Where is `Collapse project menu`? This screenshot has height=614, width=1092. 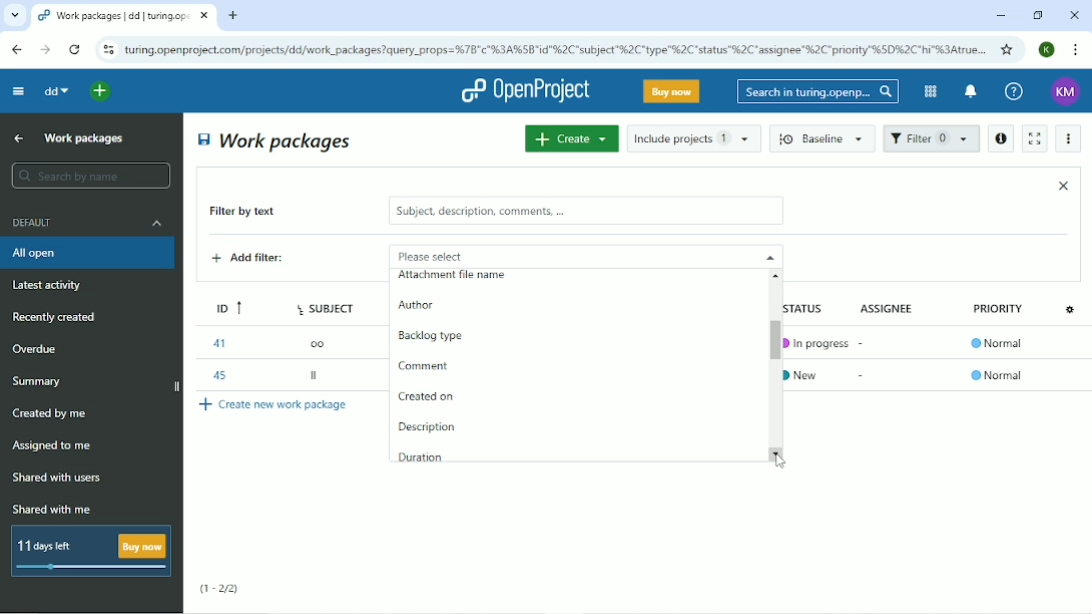 Collapse project menu is located at coordinates (17, 90).